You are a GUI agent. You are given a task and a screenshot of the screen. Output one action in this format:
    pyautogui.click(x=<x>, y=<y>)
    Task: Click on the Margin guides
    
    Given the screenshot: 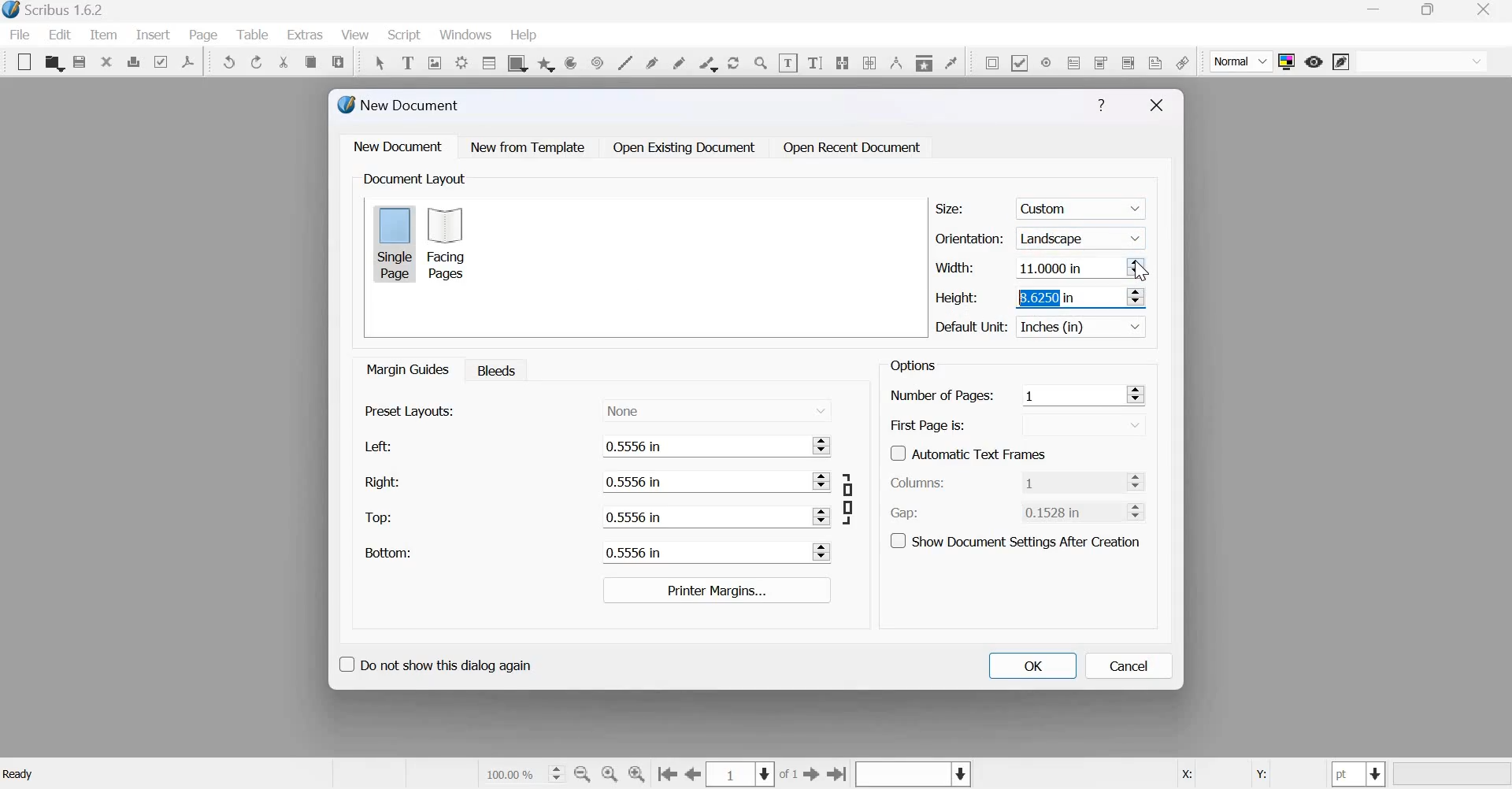 What is the action you would take?
    pyautogui.click(x=406, y=369)
    